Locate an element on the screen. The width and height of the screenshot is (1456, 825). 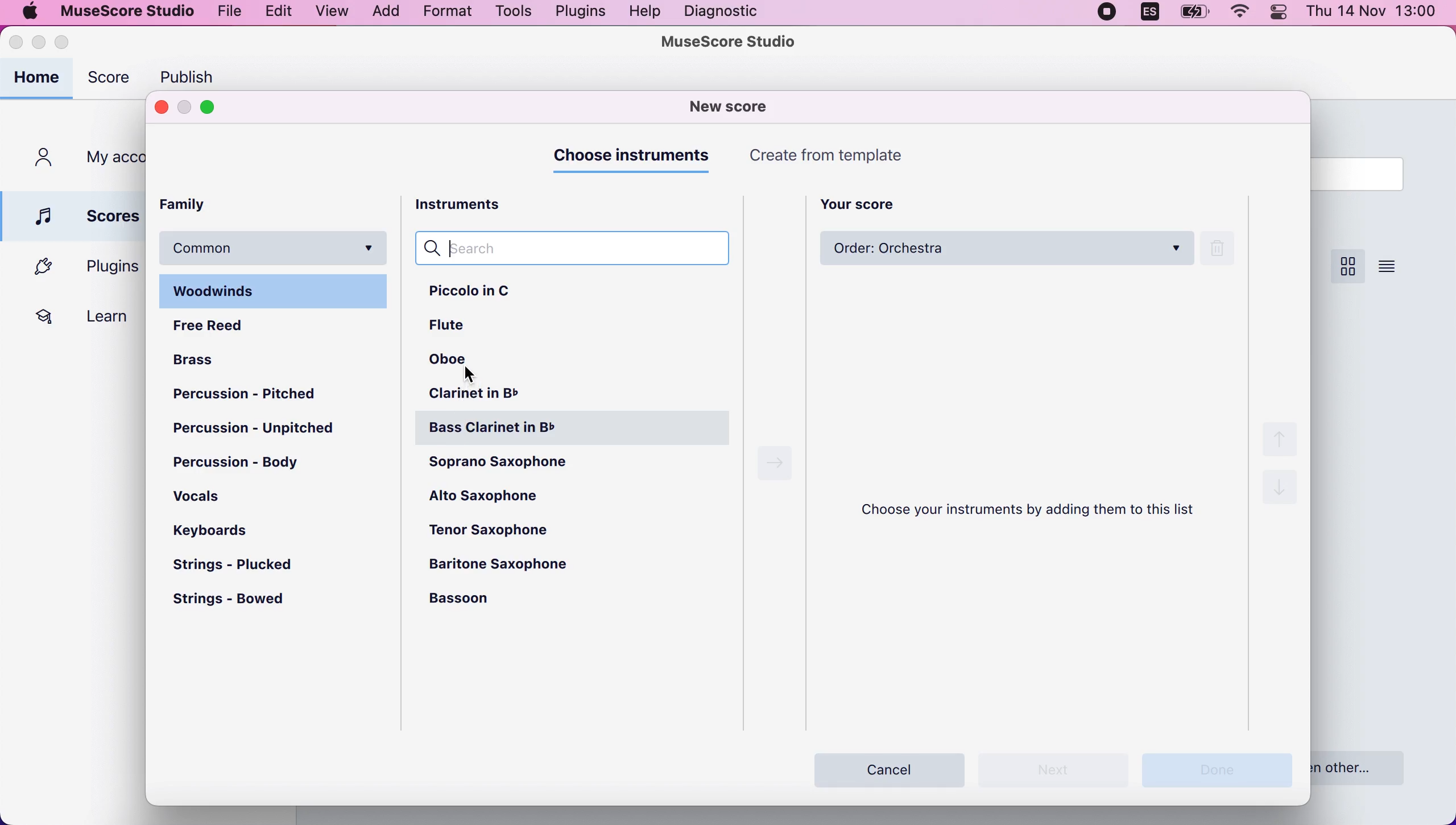
minimize is located at coordinates (185, 107).